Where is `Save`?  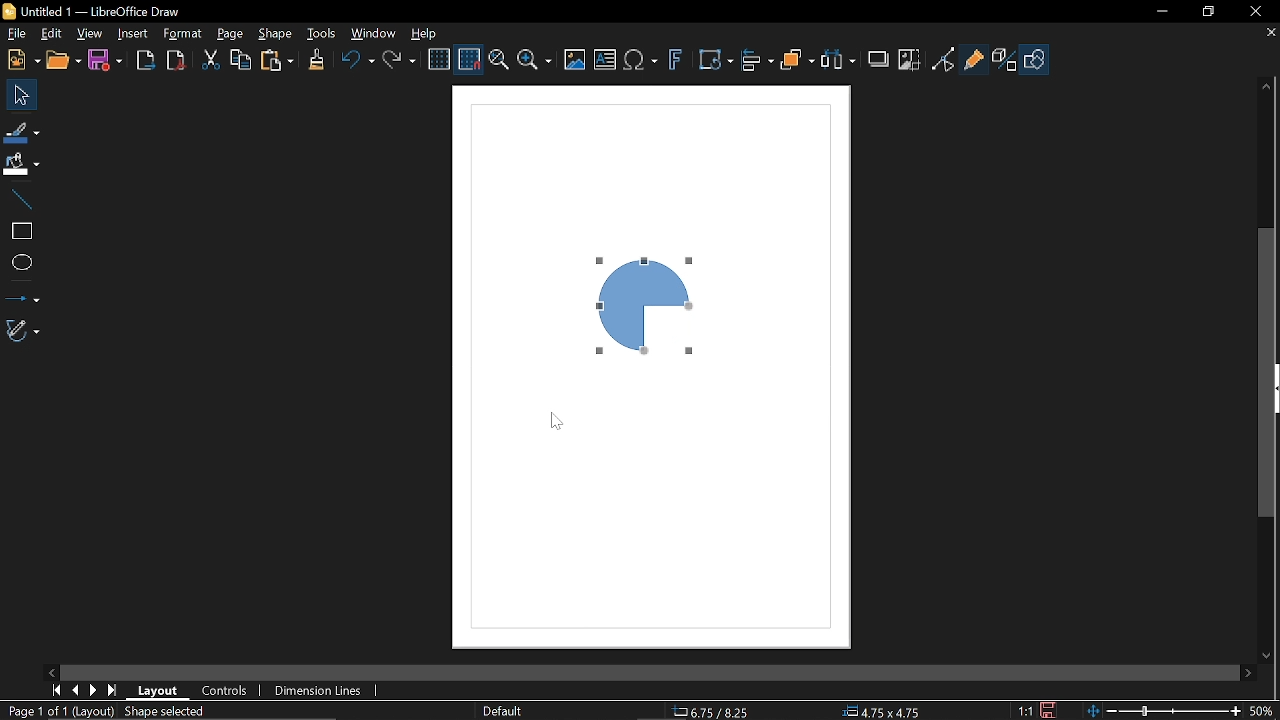
Save is located at coordinates (108, 60).